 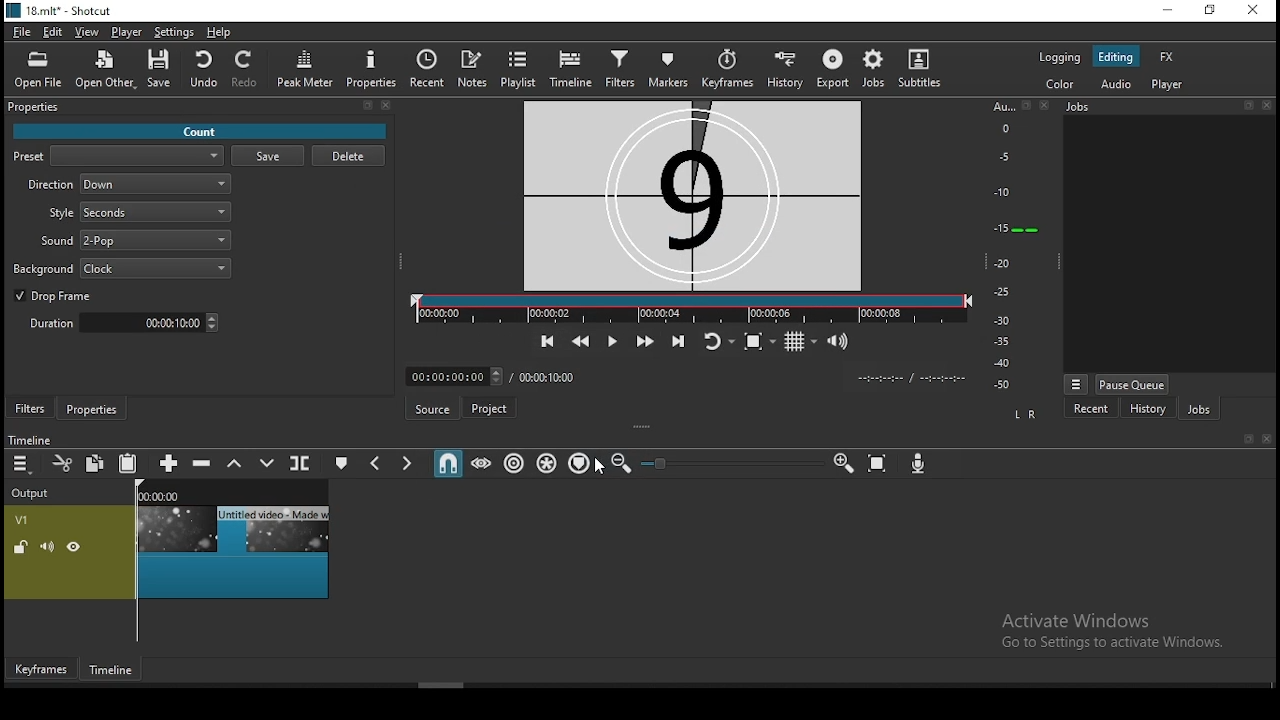 What do you see at coordinates (571, 68) in the screenshot?
I see `timeline` at bounding box center [571, 68].